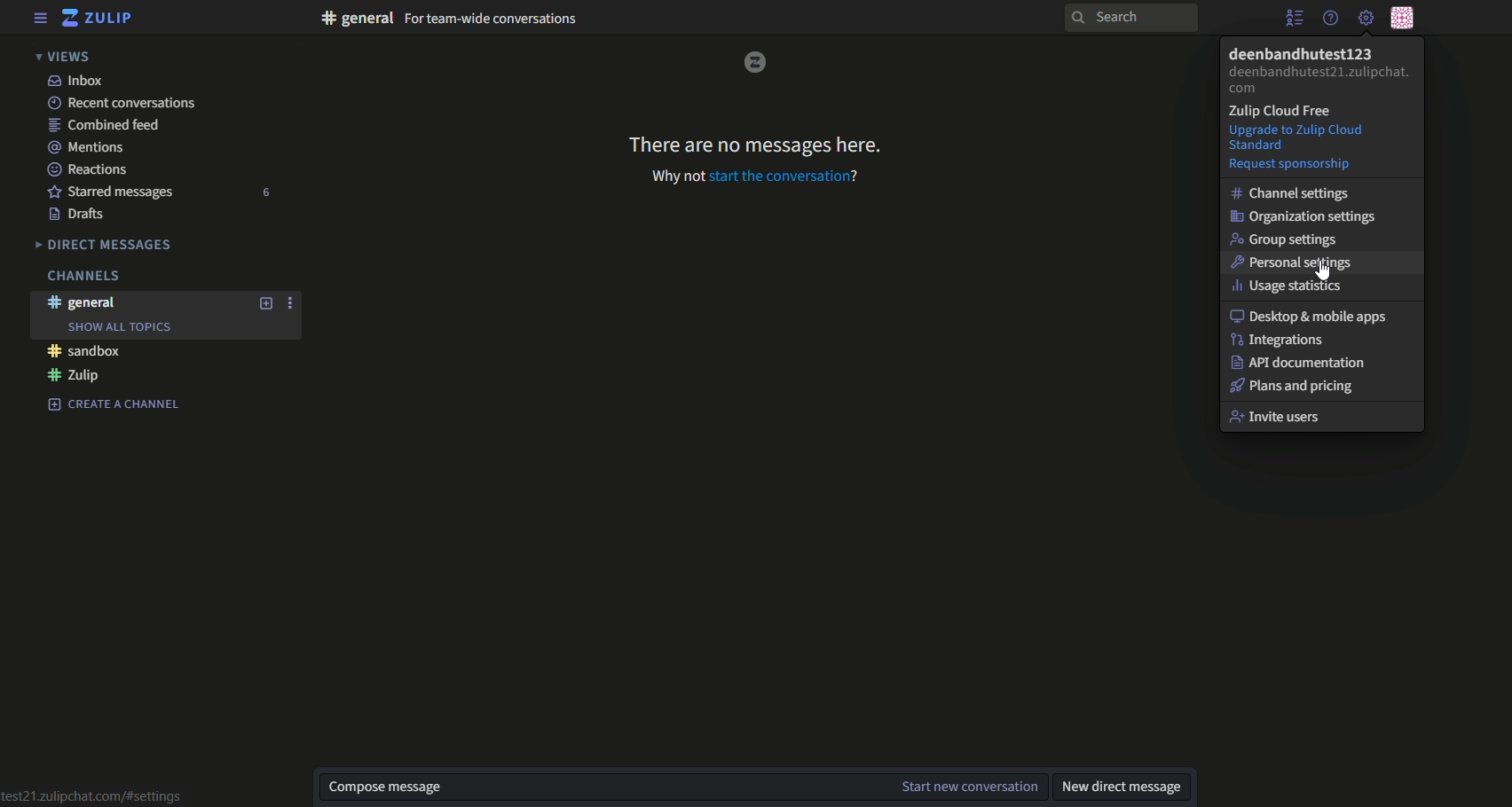 This screenshot has width=1512, height=807. What do you see at coordinates (75, 81) in the screenshot?
I see `inbox` at bounding box center [75, 81].